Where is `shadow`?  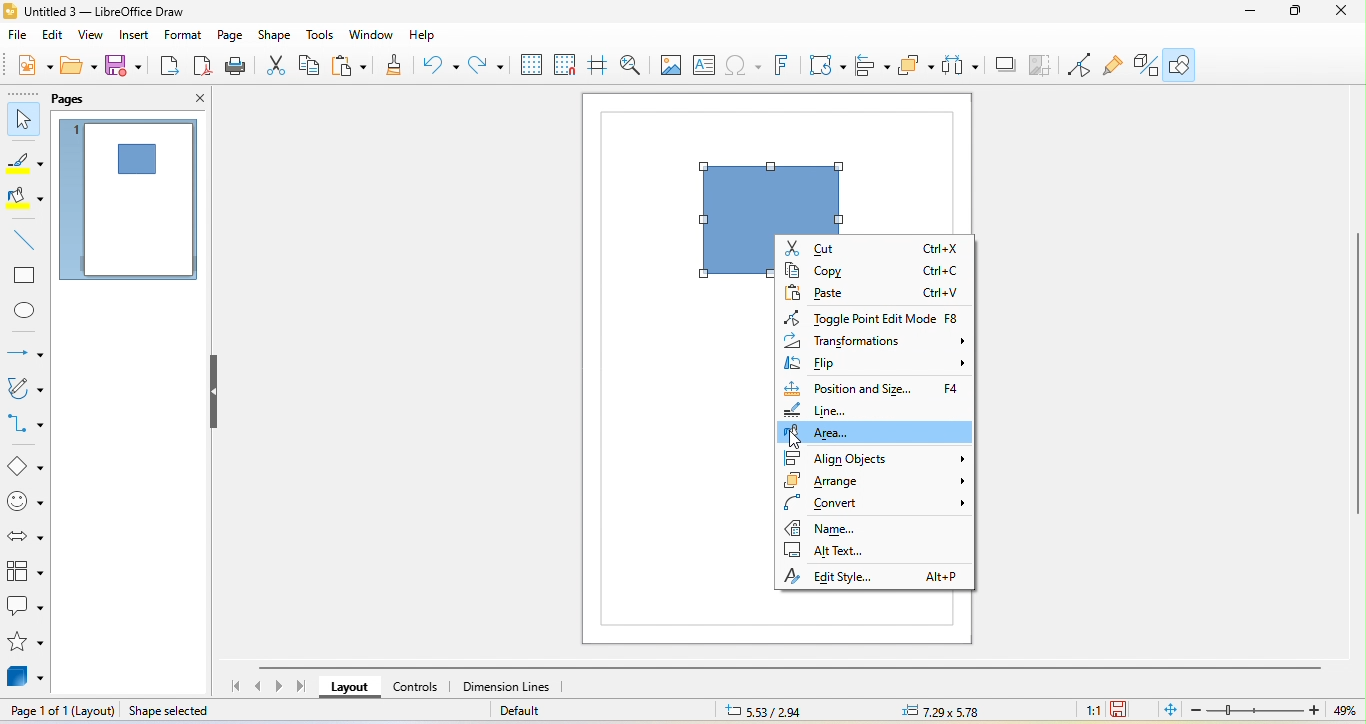
shadow is located at coordinates (1004, 66).